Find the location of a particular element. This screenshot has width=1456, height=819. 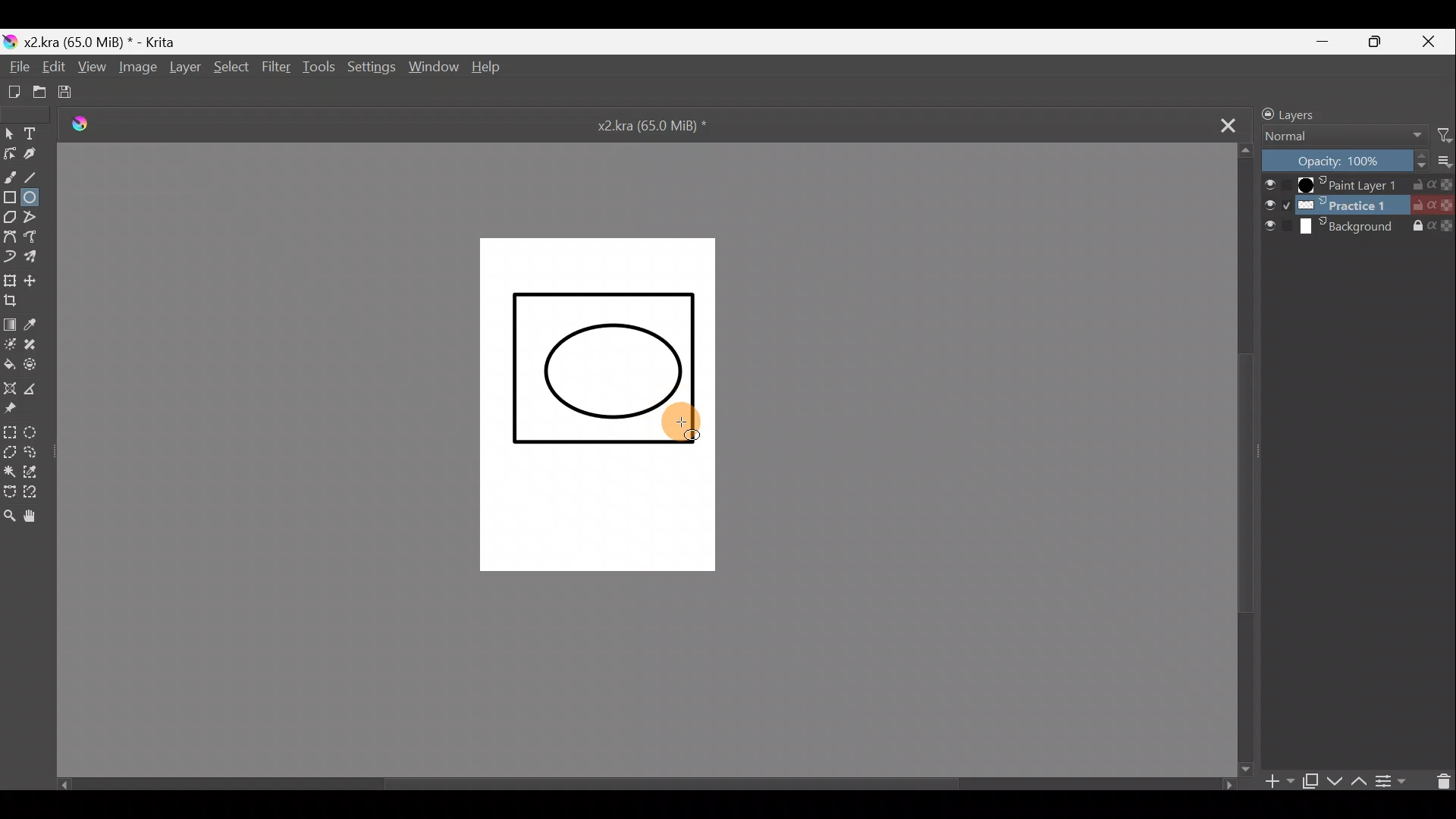

Fill a contiguous area of colour with colour/fill a selection is located at coordinates (9, 365).